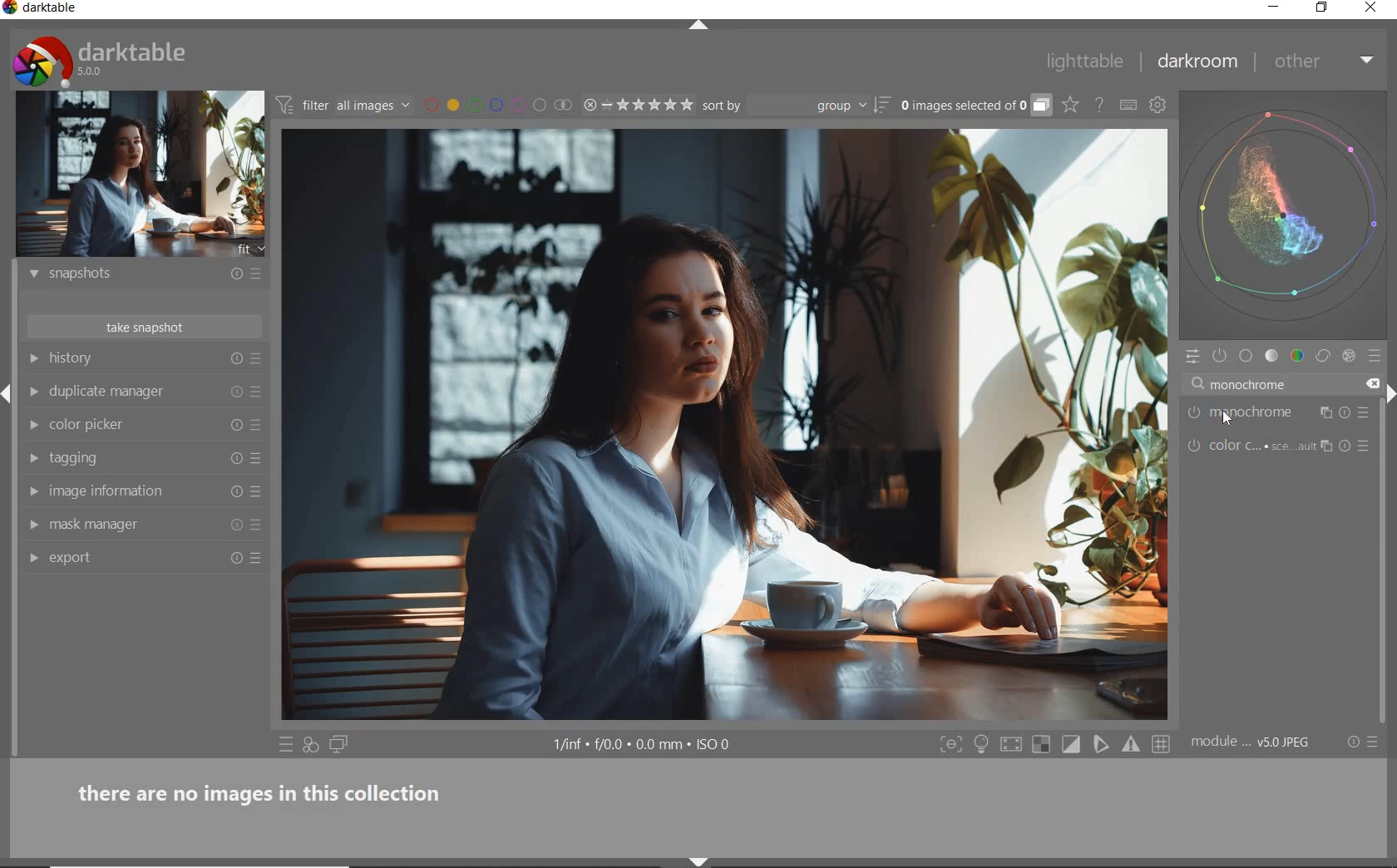  What do you see at coordinates (703, 861) in the screenshot?
I see `shift+ctrl+b` at bounding box center [703, 861].